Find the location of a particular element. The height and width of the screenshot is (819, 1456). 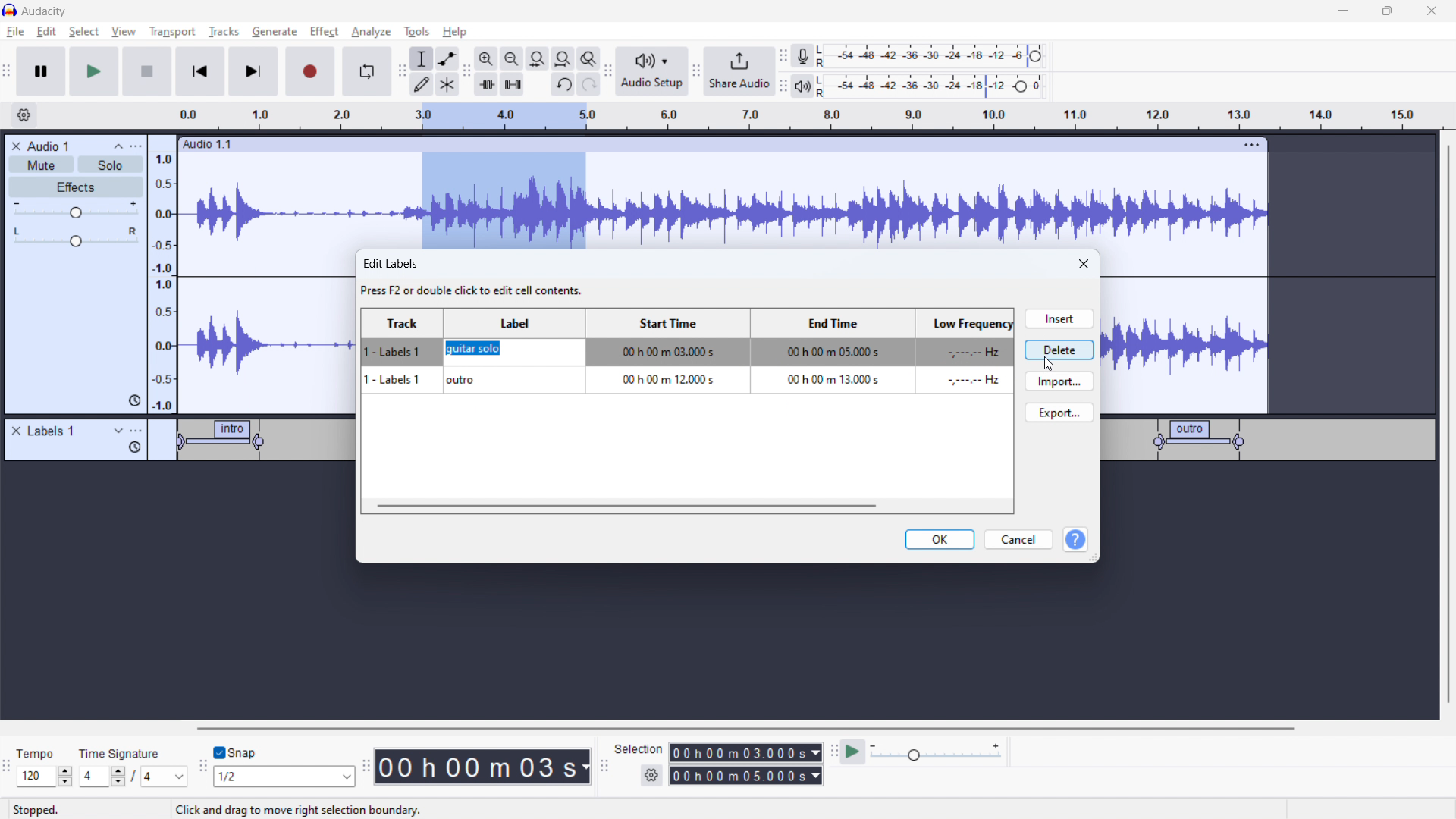

analyze is located at coordinates (369, 33).